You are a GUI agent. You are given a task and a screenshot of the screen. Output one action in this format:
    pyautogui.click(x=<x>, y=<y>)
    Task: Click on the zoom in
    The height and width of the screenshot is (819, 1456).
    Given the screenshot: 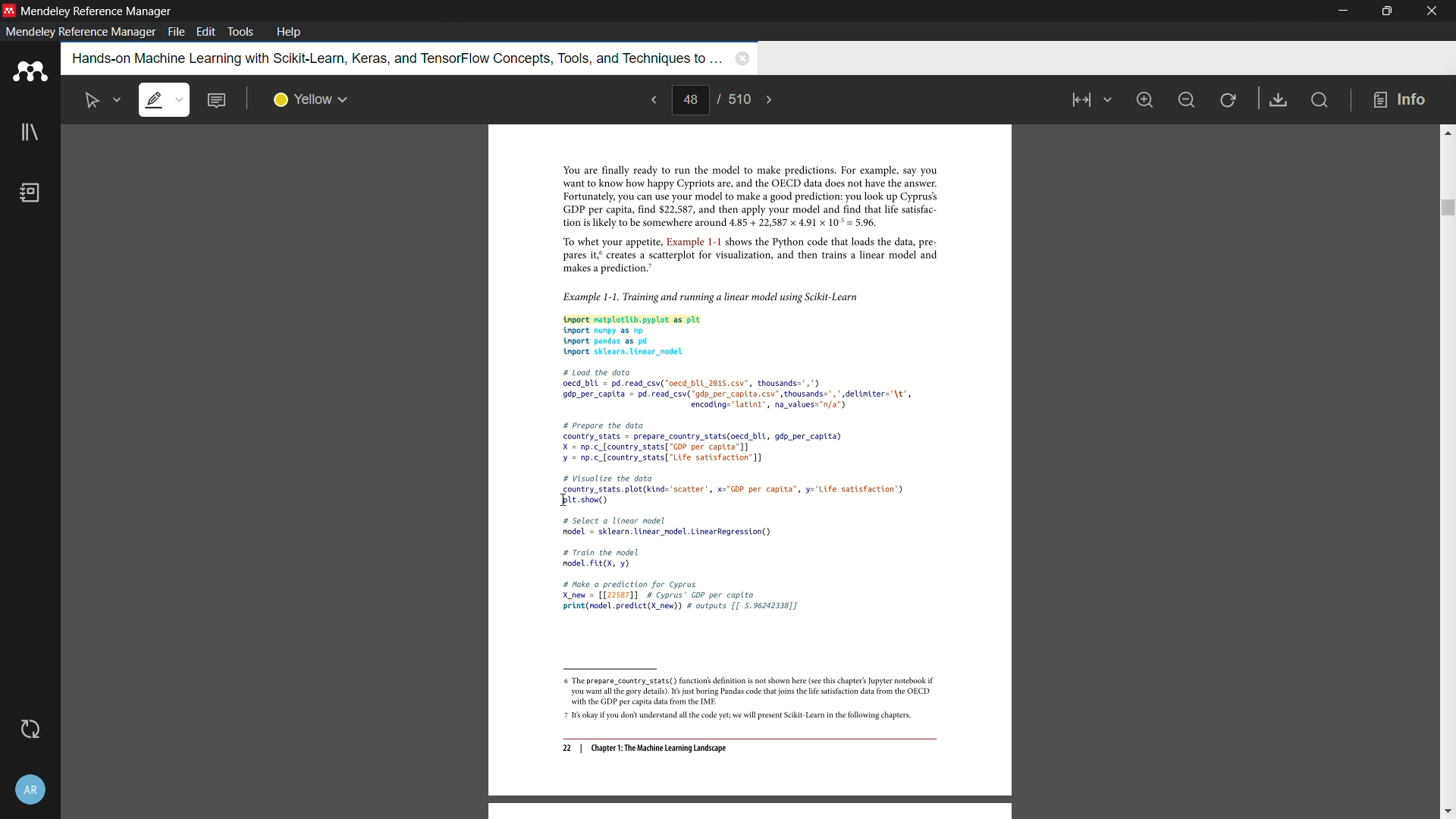 What is the action you would take?
    pyautogui.click(x=1144, y=99)
    